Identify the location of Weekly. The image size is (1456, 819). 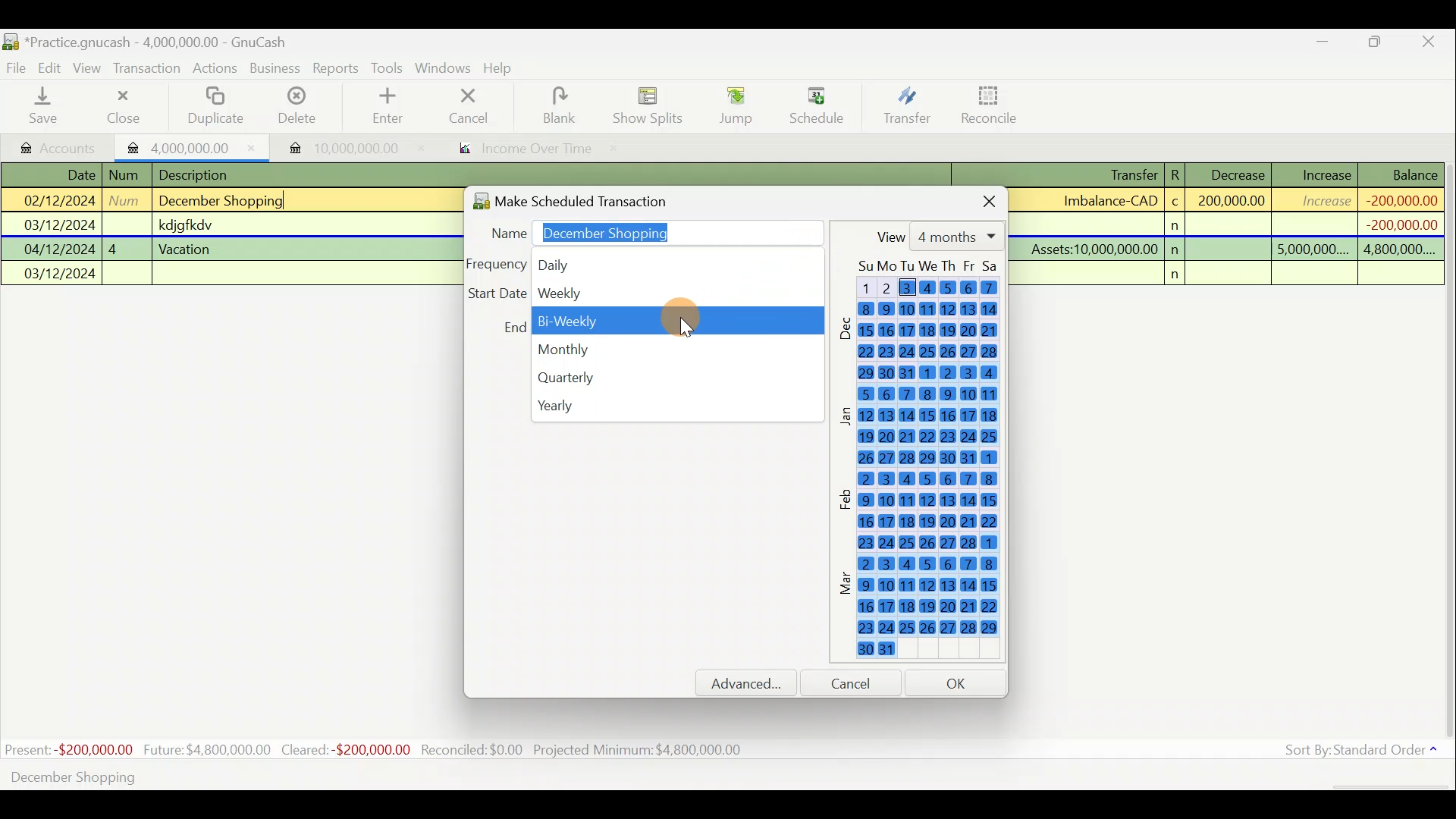
(667, 293).